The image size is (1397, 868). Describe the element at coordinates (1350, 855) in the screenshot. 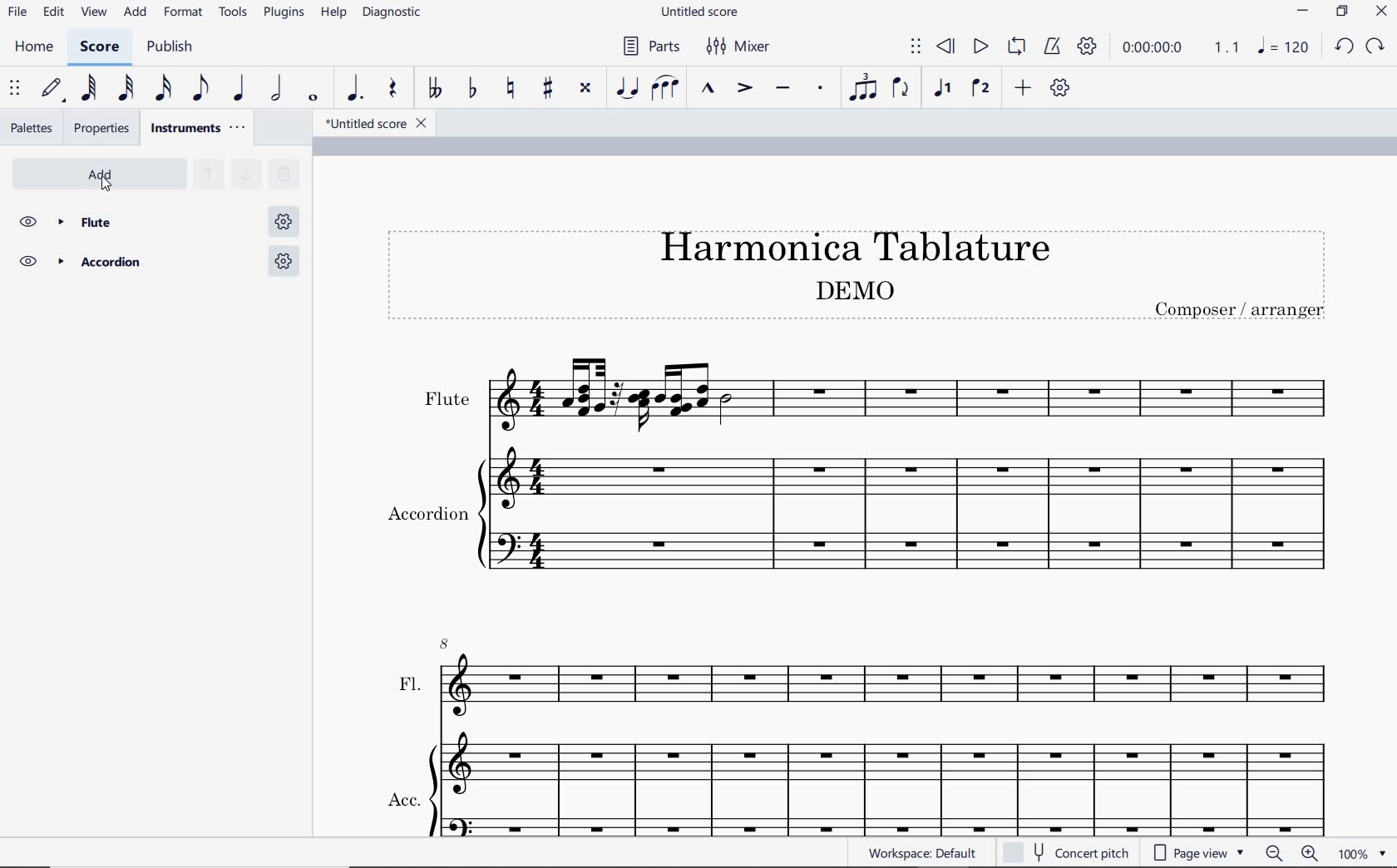

I see `zoom factor` at that location.